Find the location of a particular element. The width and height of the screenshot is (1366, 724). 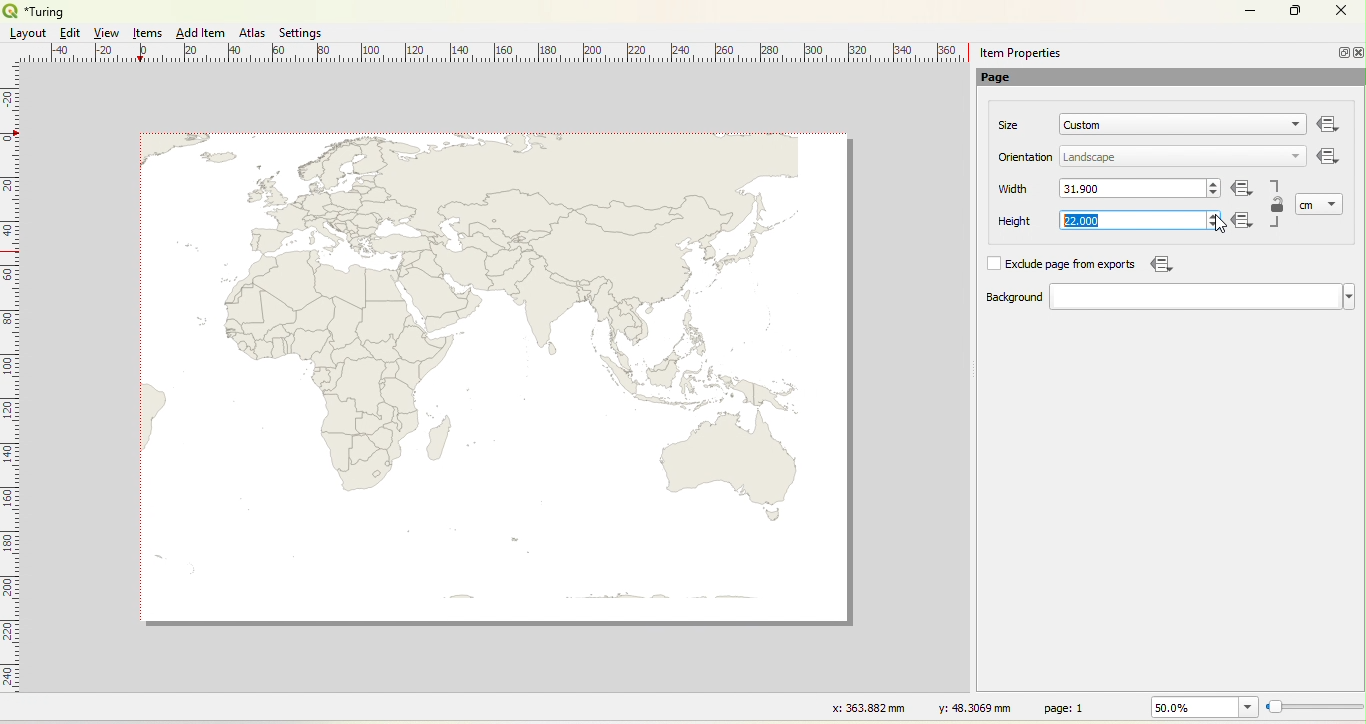

cm is located at coordinates (1308, 205).